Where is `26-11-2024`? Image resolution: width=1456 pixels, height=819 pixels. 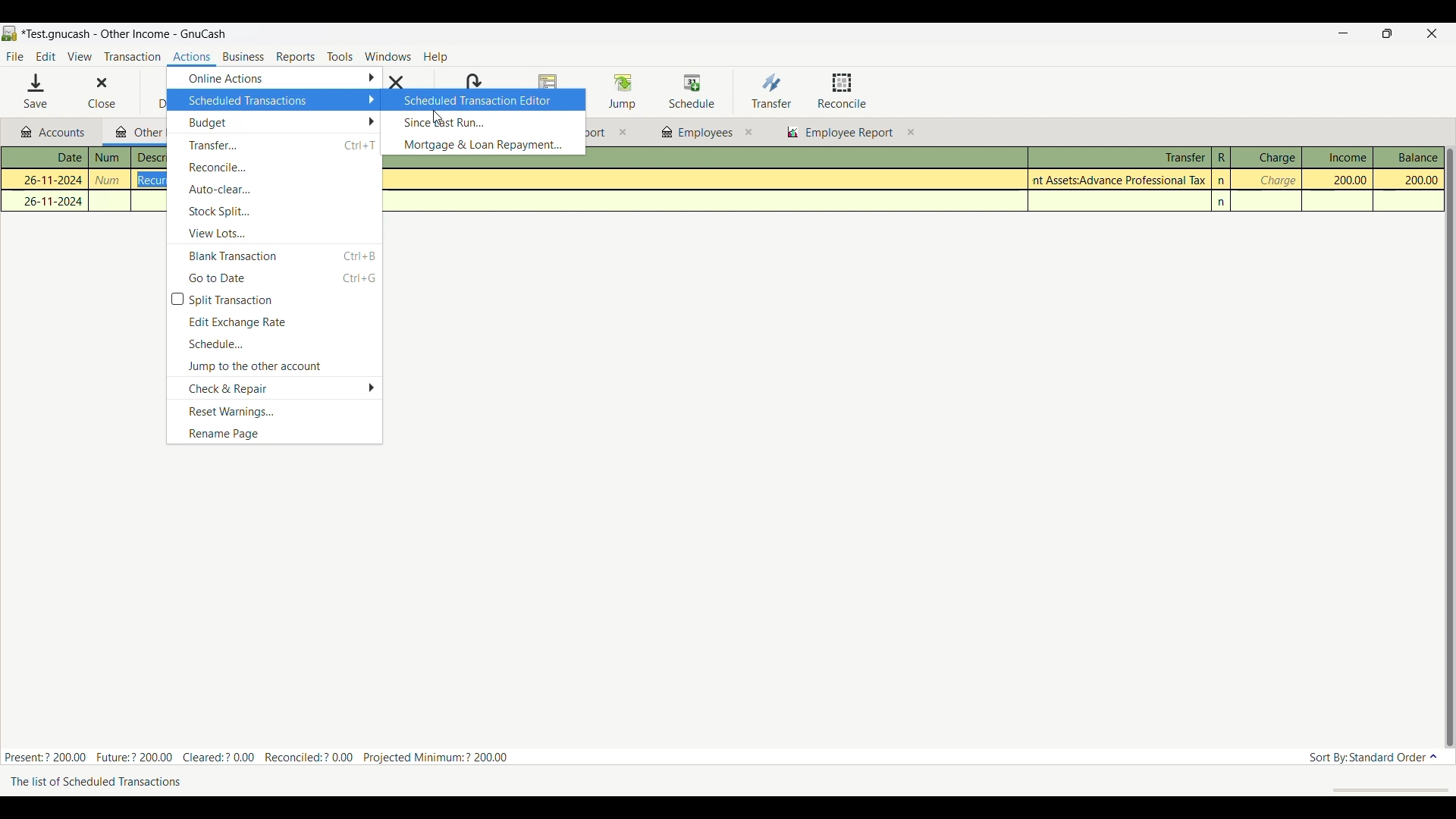 26-11-2024 is located at coordinates (46, 178).